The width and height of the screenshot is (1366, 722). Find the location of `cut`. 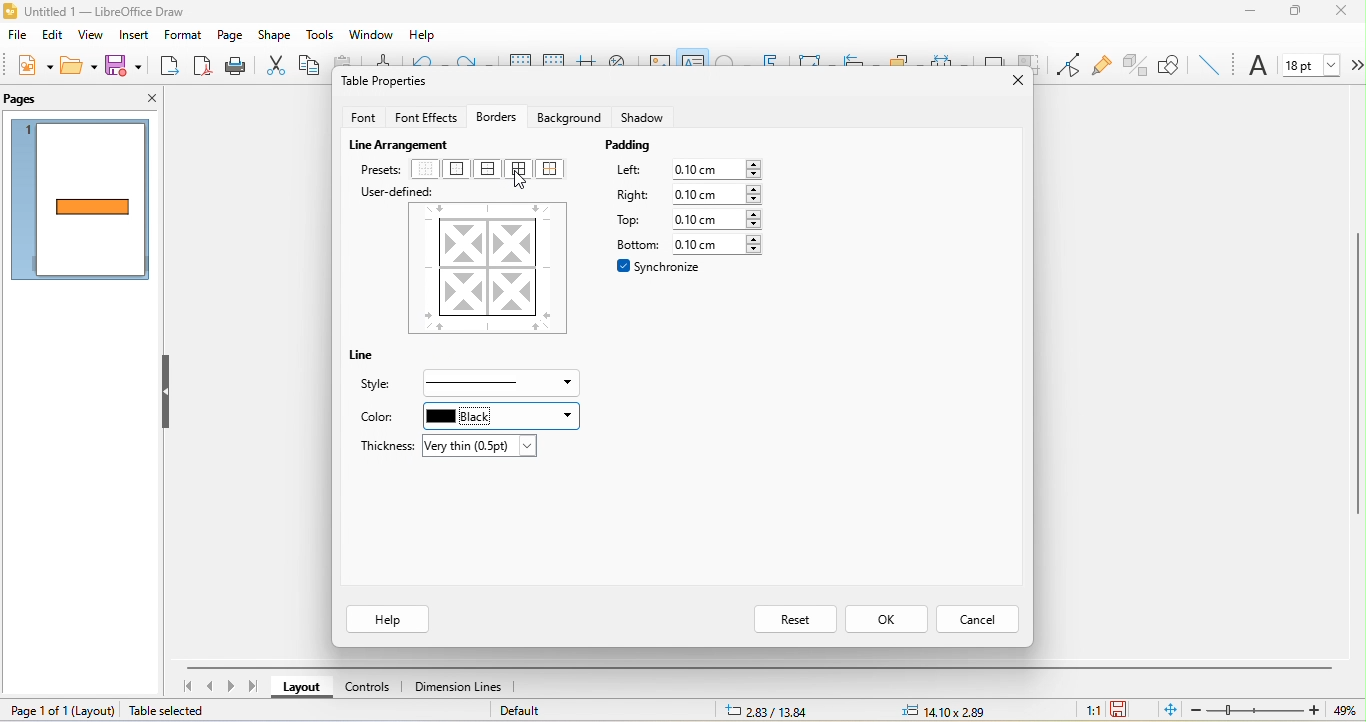

cut is located at coordinates (272, 65).